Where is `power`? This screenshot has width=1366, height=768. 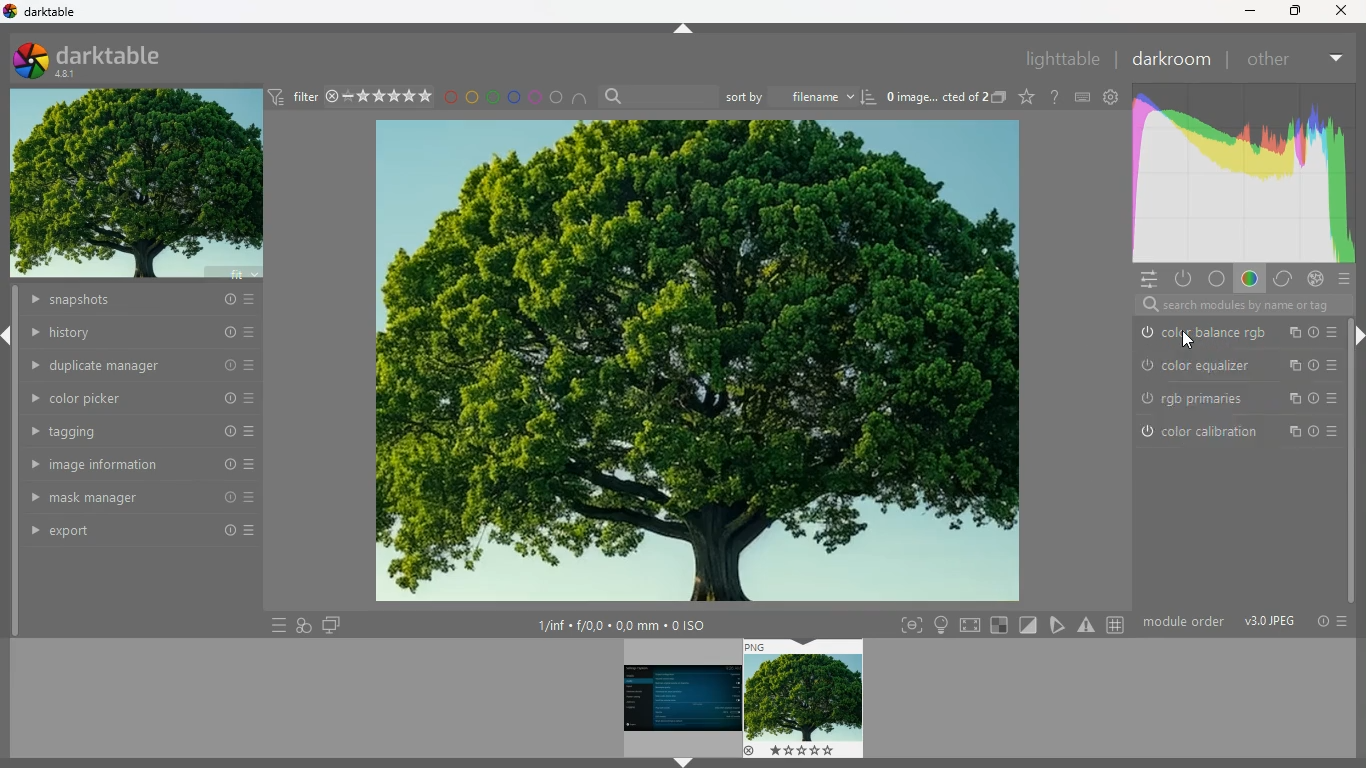
power is located at coordinates (1182, 278).